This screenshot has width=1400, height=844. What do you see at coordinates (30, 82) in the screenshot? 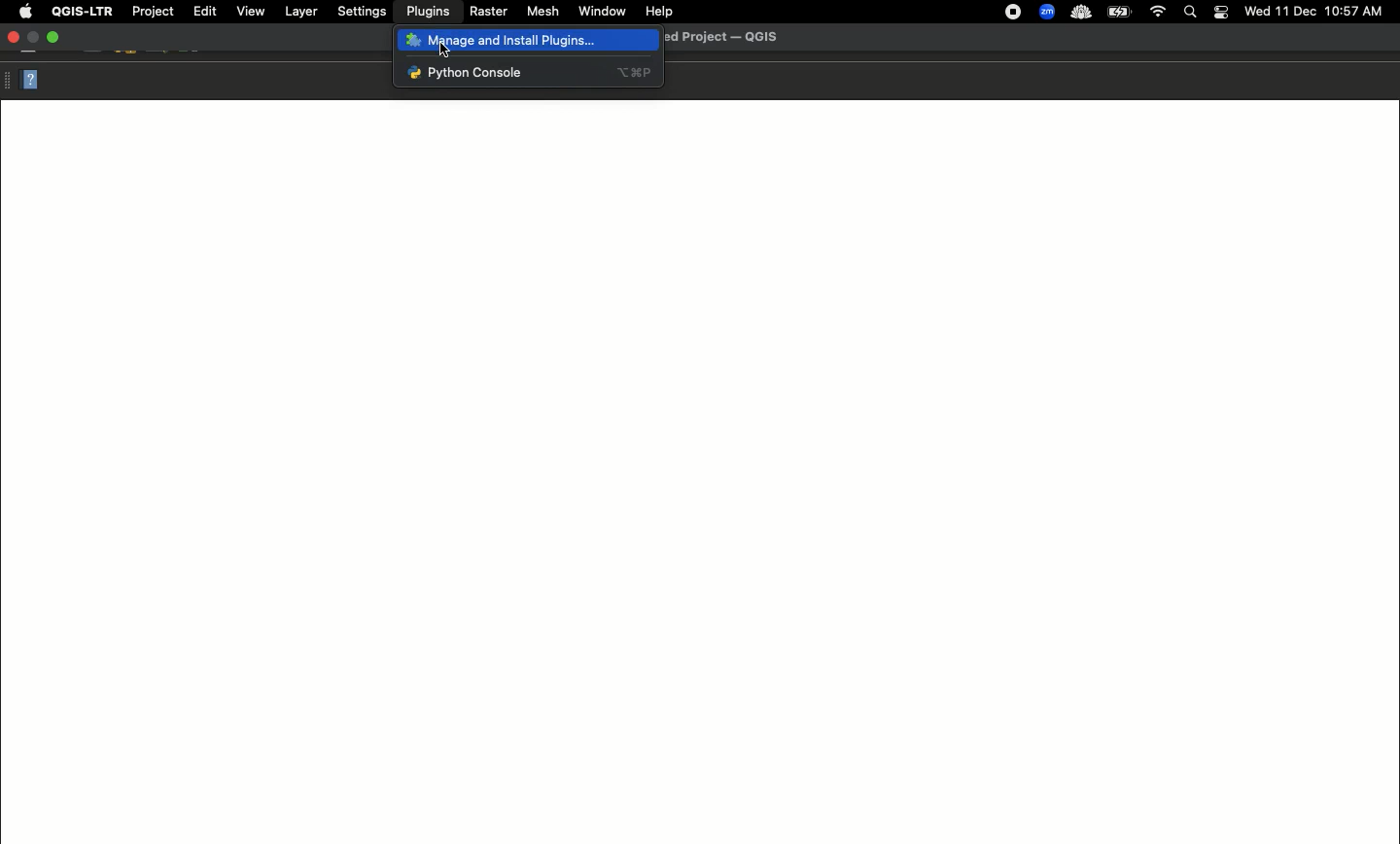
I see `Help` at bounding box center [30, 82].